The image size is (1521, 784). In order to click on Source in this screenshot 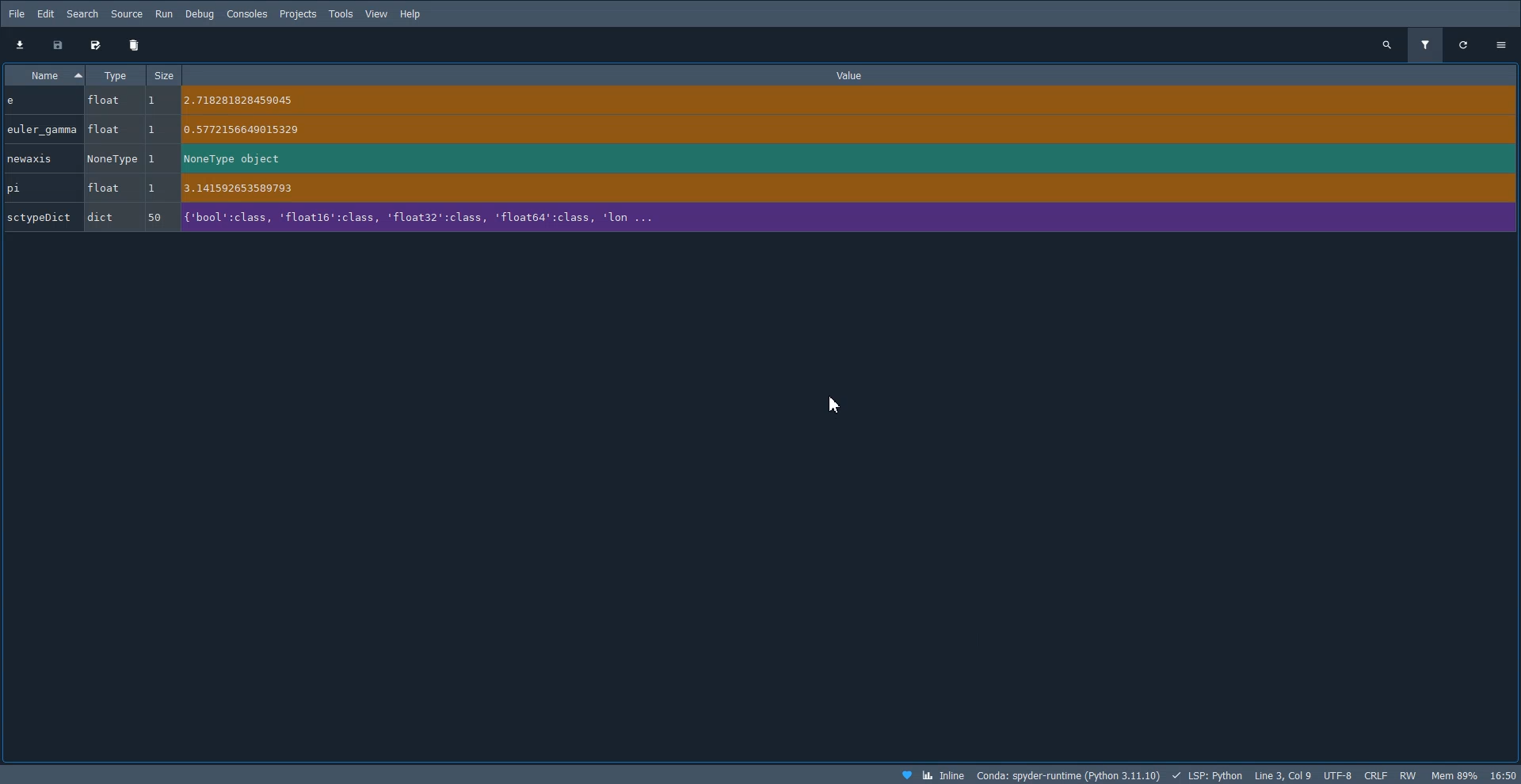, I will do `click(127, 13)`.